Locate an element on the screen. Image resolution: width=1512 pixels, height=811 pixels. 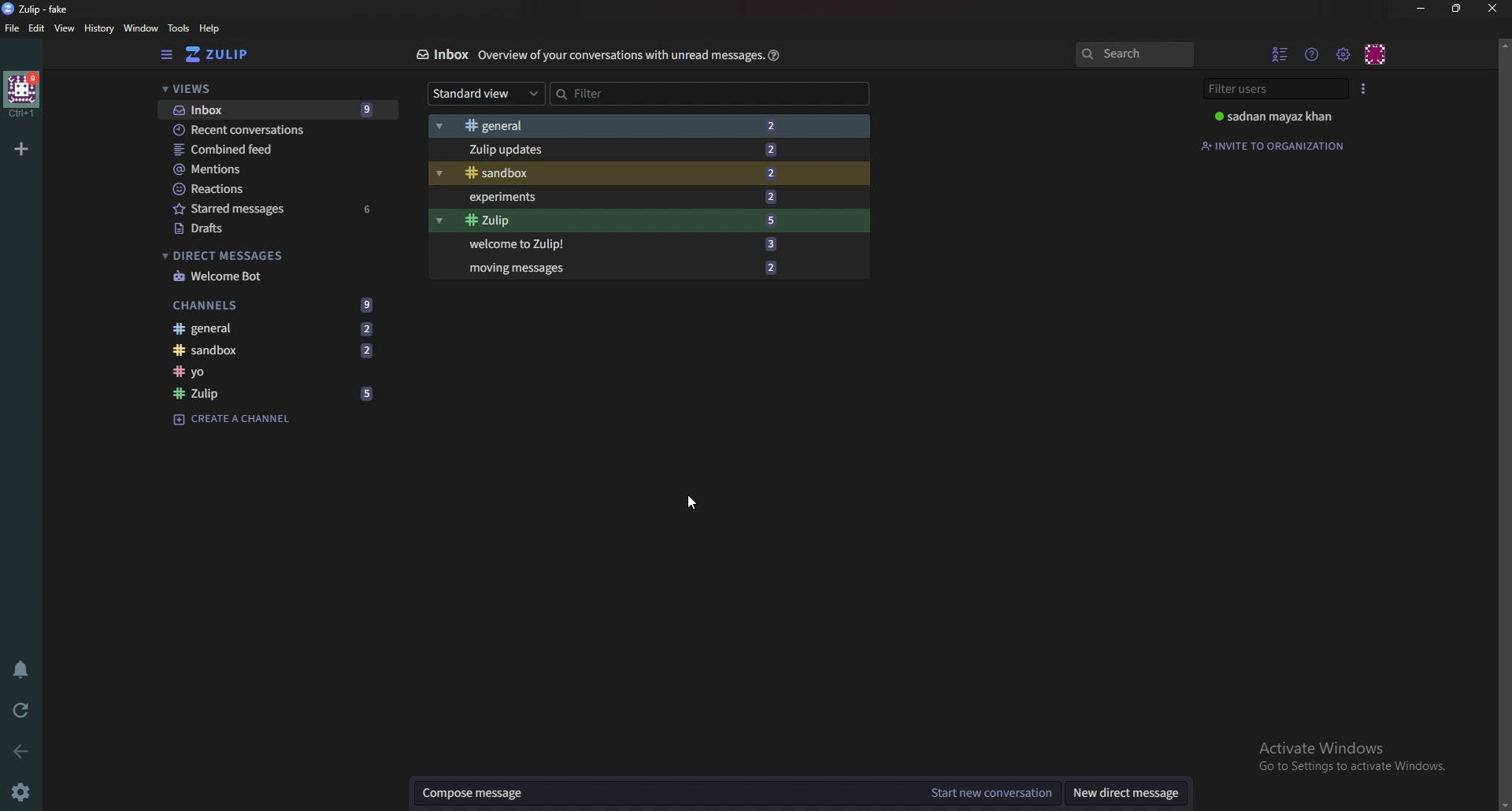
Info is located at coordinates (618, 55).